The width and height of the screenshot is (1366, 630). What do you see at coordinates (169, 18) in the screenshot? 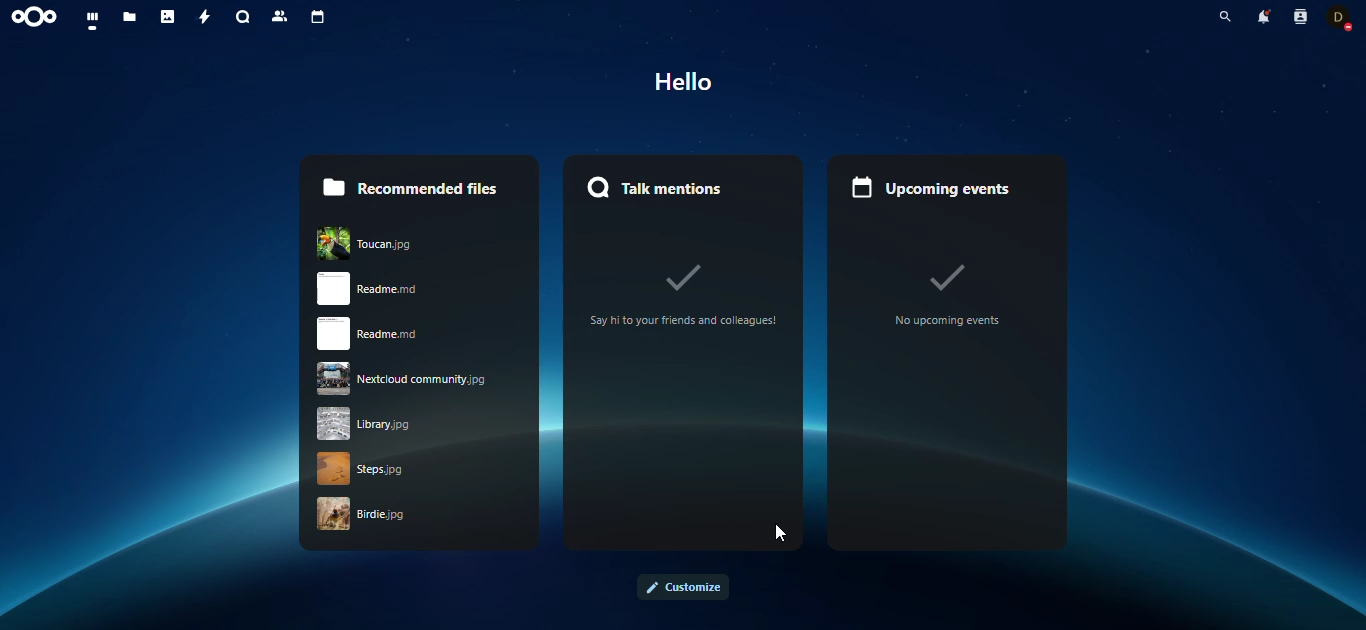
I see `photos` at bounding box center [169, 18].